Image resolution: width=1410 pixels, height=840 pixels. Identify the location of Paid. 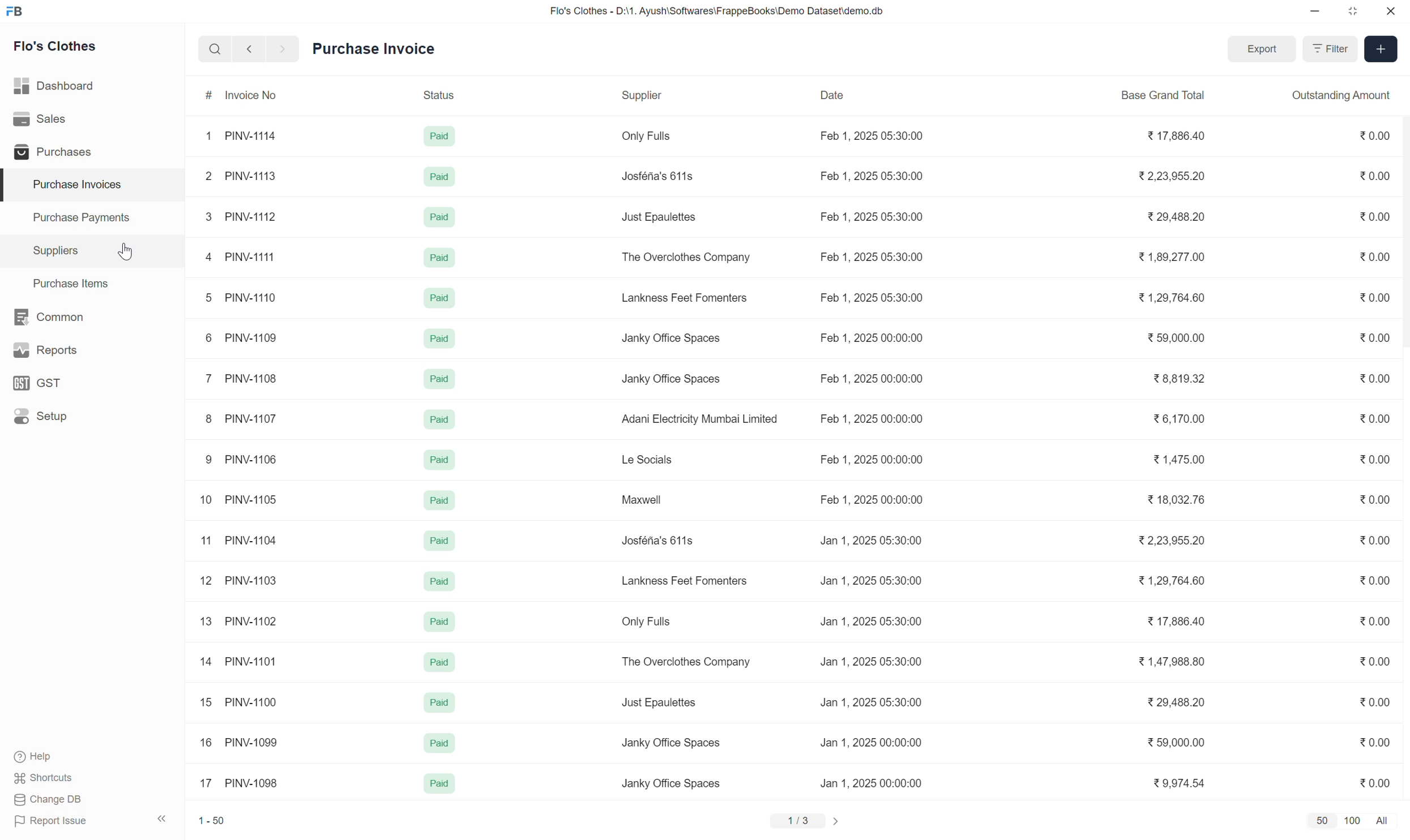
(439, 380).